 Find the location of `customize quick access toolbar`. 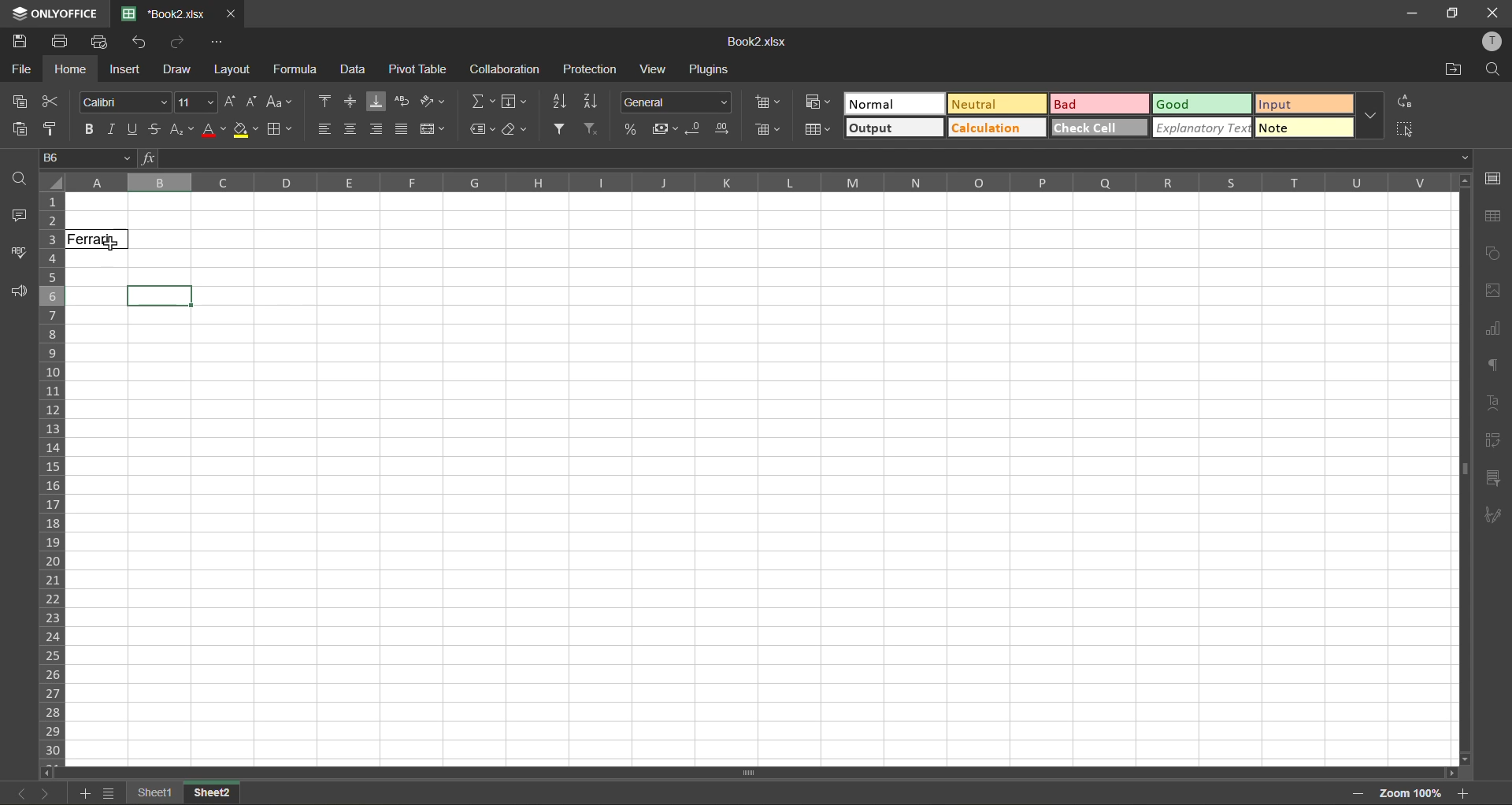

customize quick access toolbar is located at coordinates (217, 42).